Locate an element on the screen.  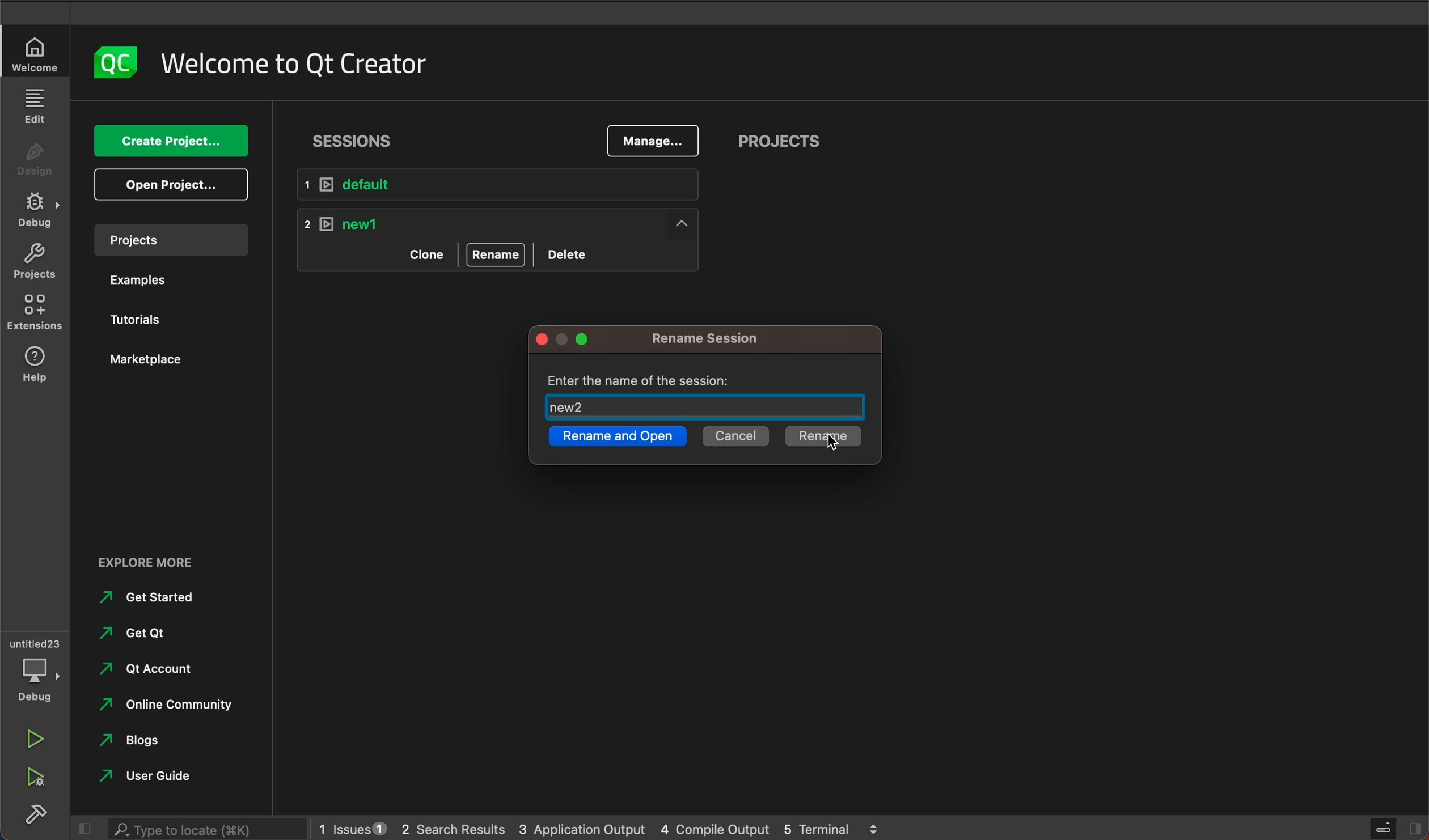
open is located at coordinates (172, 184).